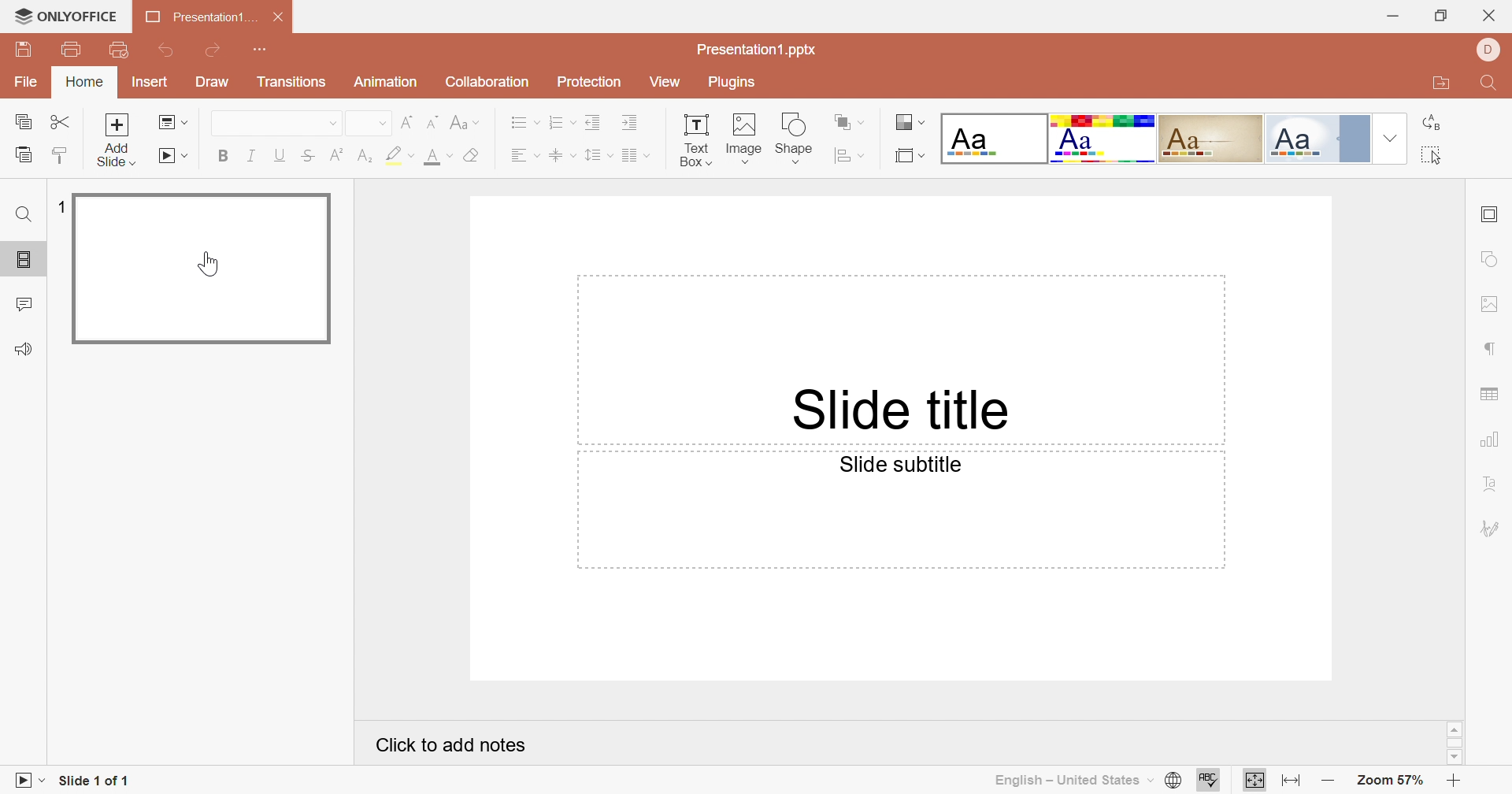 The image size is (1512, 794). I want to click on Strikethrough, so click(306, 154).